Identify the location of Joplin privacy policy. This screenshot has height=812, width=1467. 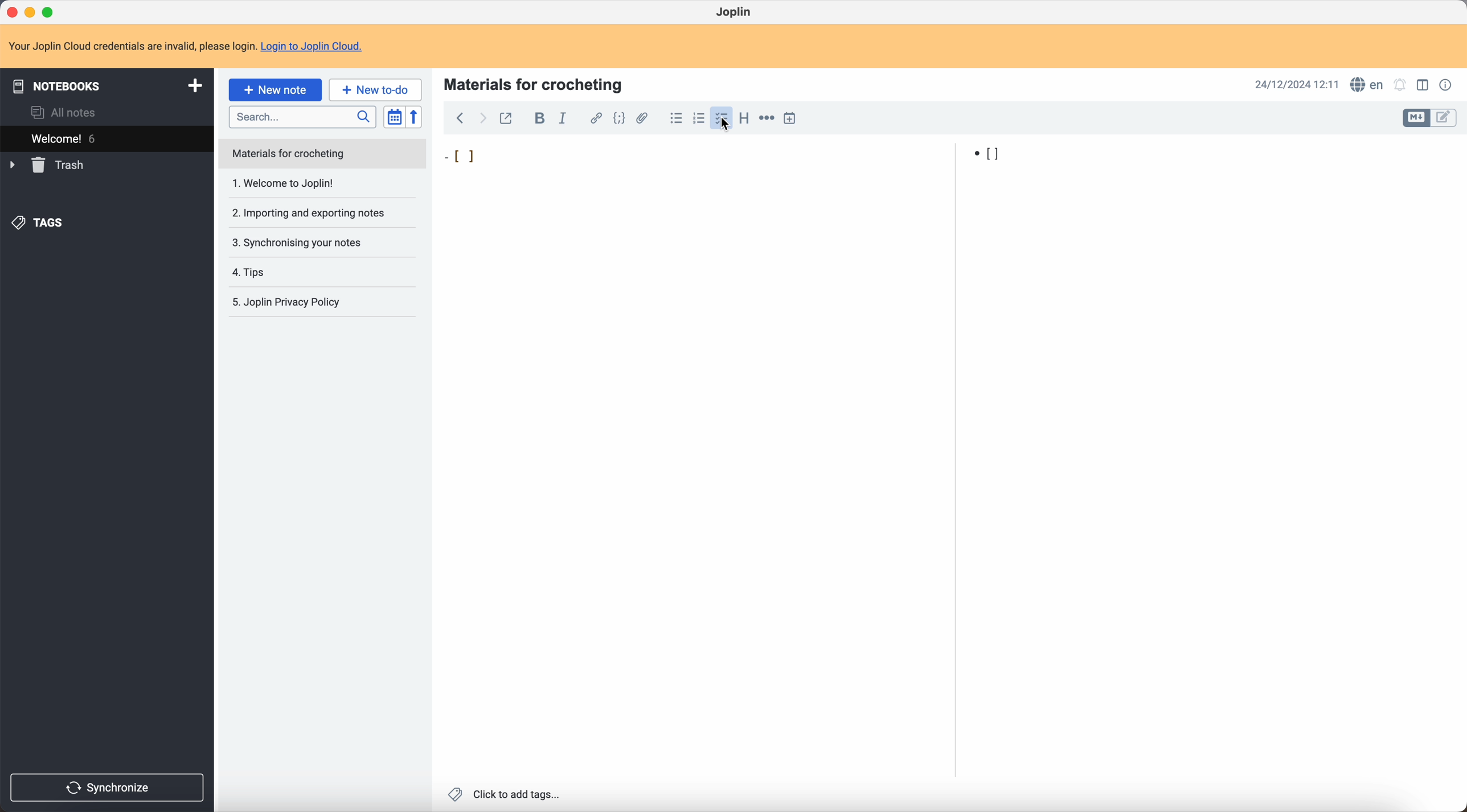
(293, 304).